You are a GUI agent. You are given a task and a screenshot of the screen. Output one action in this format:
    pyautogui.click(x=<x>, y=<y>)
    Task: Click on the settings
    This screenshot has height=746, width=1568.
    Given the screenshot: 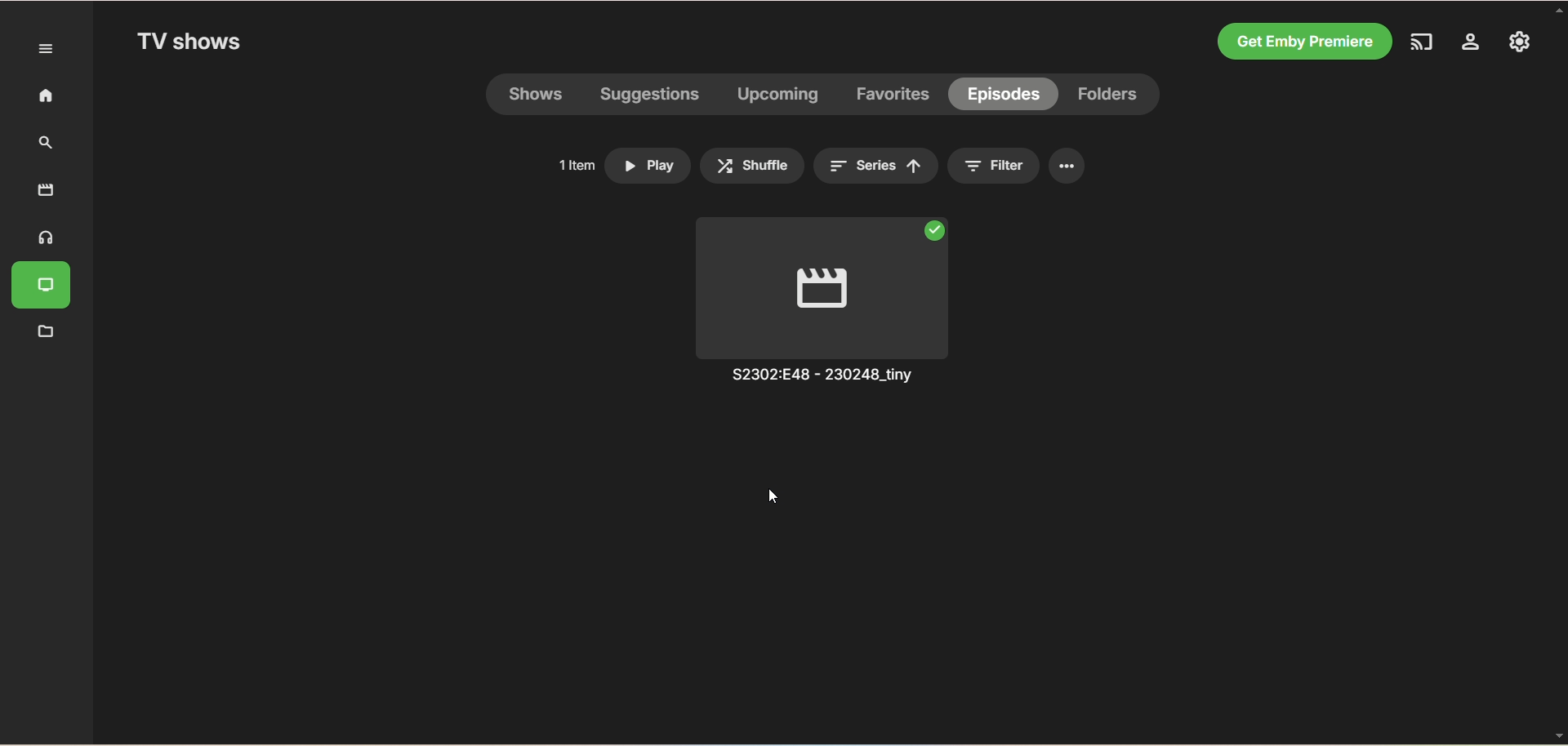 What is the action you would take?
    pyautogui.click(x=1472, y=45)
    